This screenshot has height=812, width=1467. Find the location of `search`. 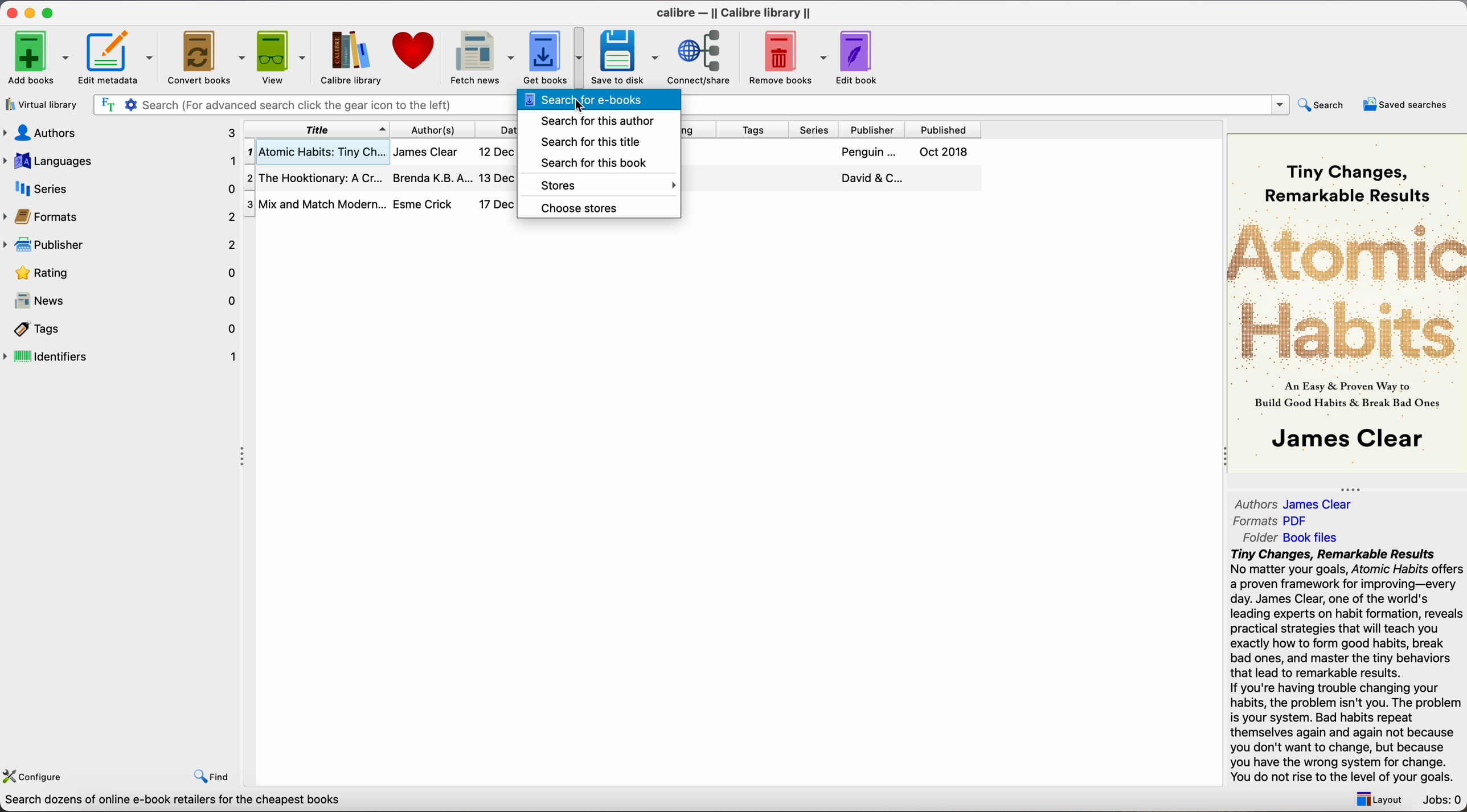

search is located at coordinates (1323, 104).